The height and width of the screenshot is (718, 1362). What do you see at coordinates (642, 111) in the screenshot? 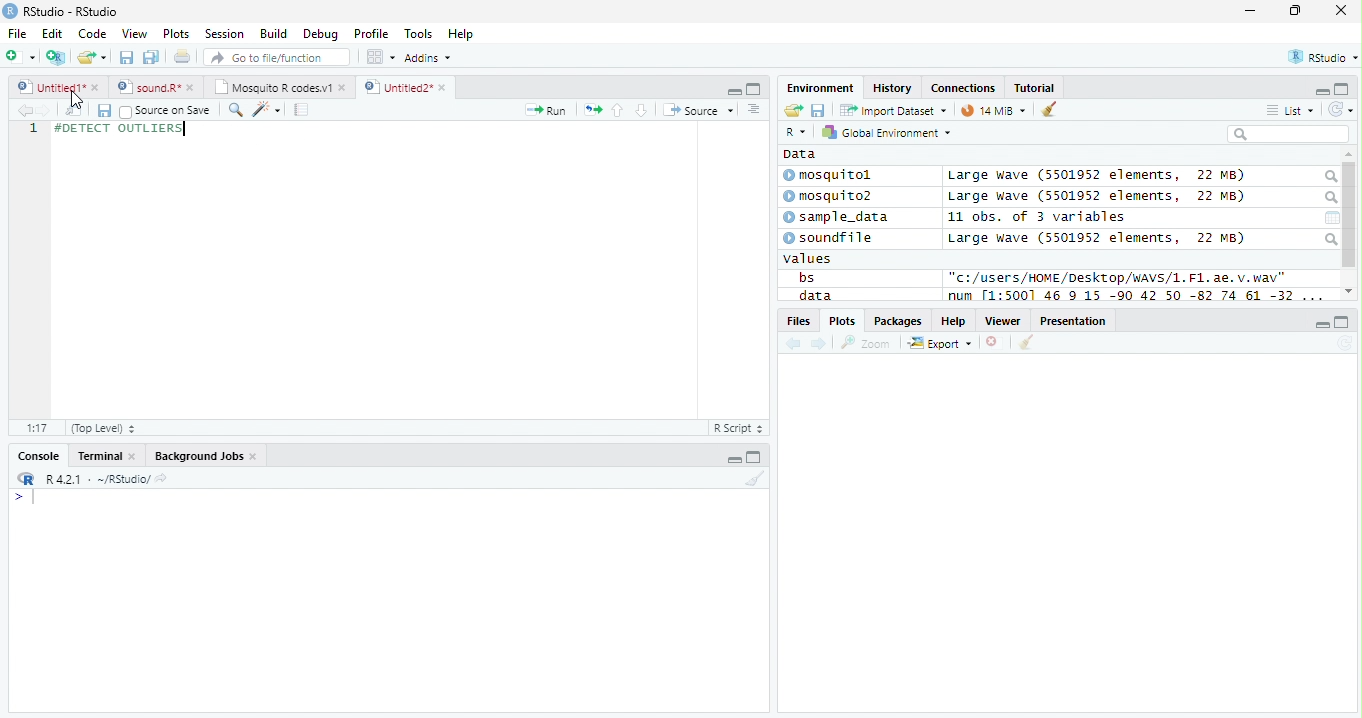
I see `Go to next session` at bounding box center [642, 111].